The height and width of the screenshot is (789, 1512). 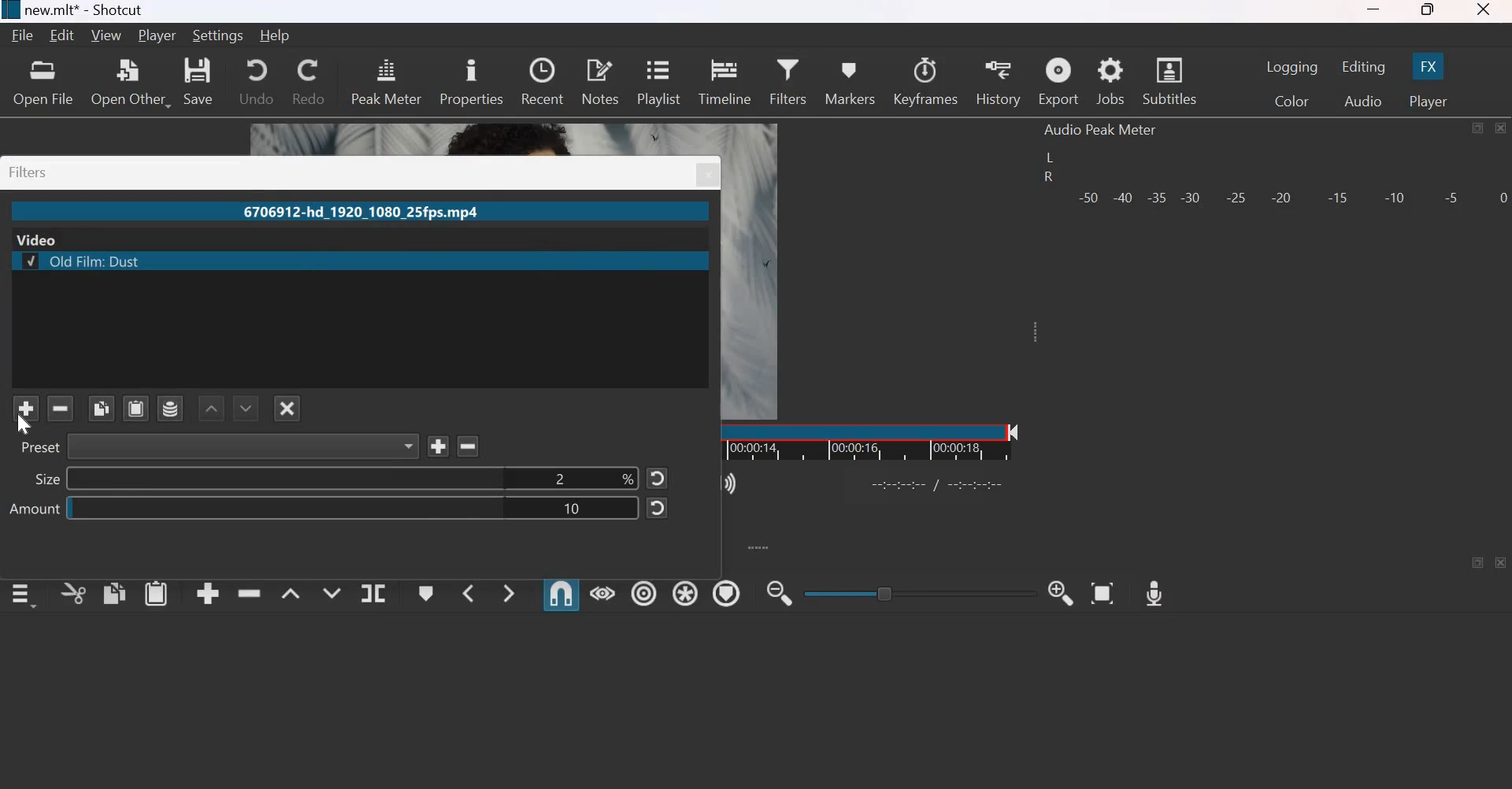 What do you see at coordinates (365, 212) in the screenshot?
I see `mp4 file` at bounding box center [365, 212].